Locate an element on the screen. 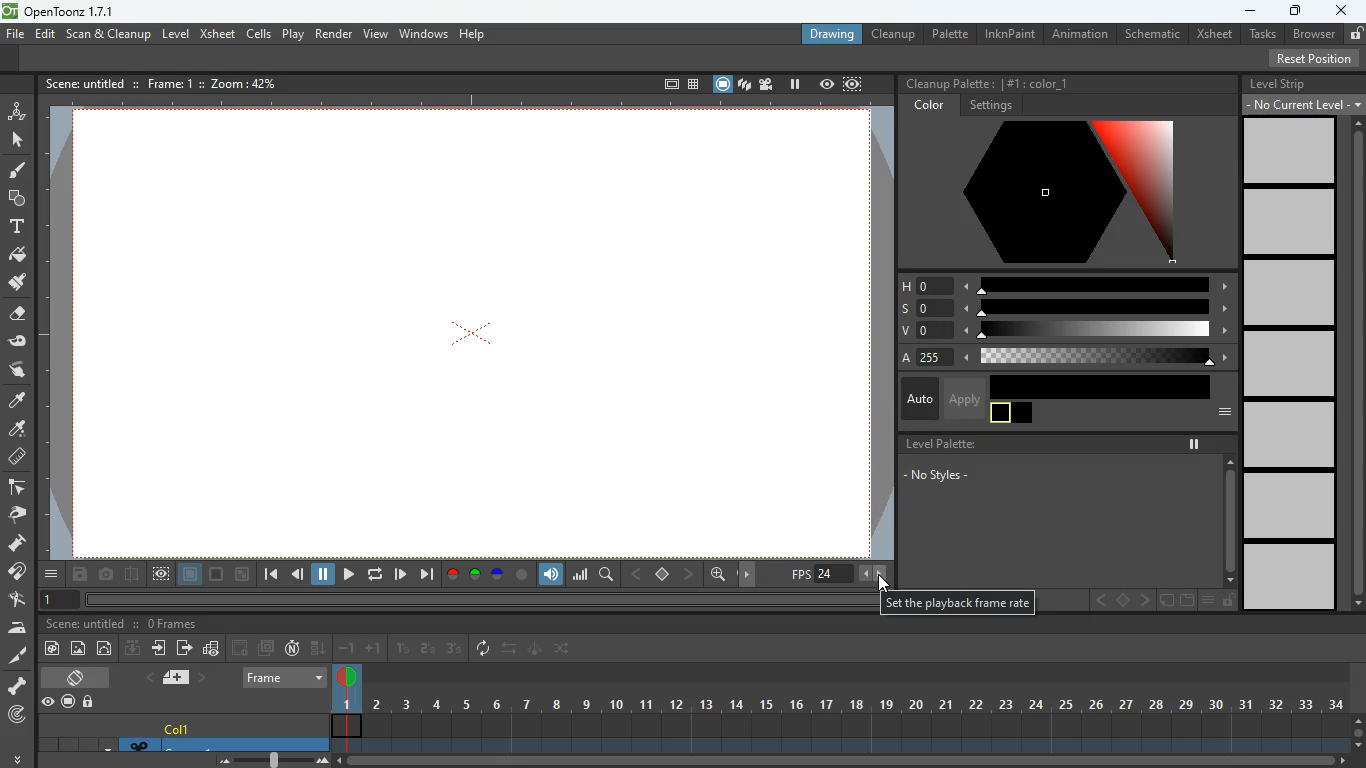 The image size is (1366, 768). red is located at coordinates (454, 574).